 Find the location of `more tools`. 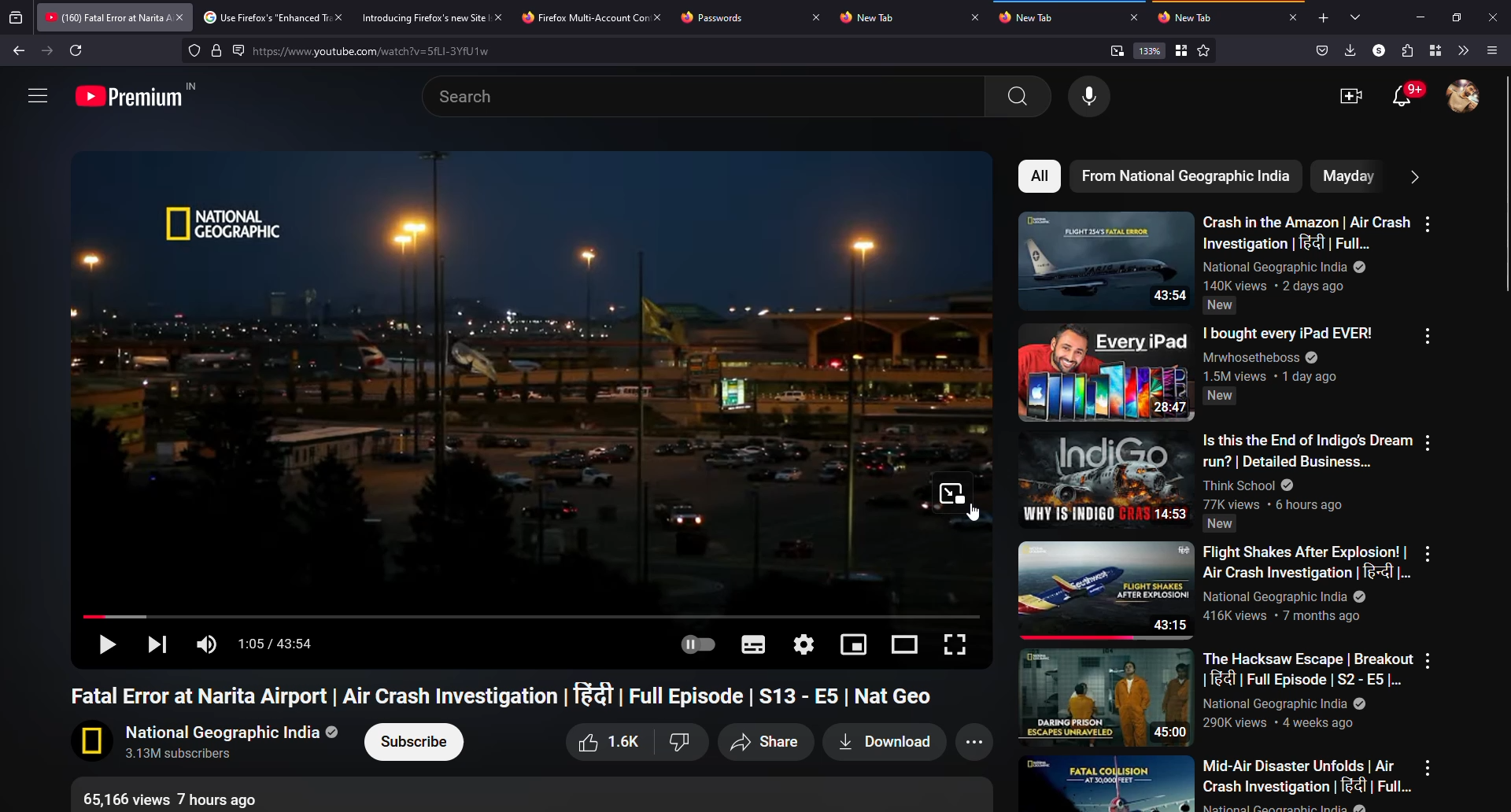

more tools is located at coordinates (1462, 50).